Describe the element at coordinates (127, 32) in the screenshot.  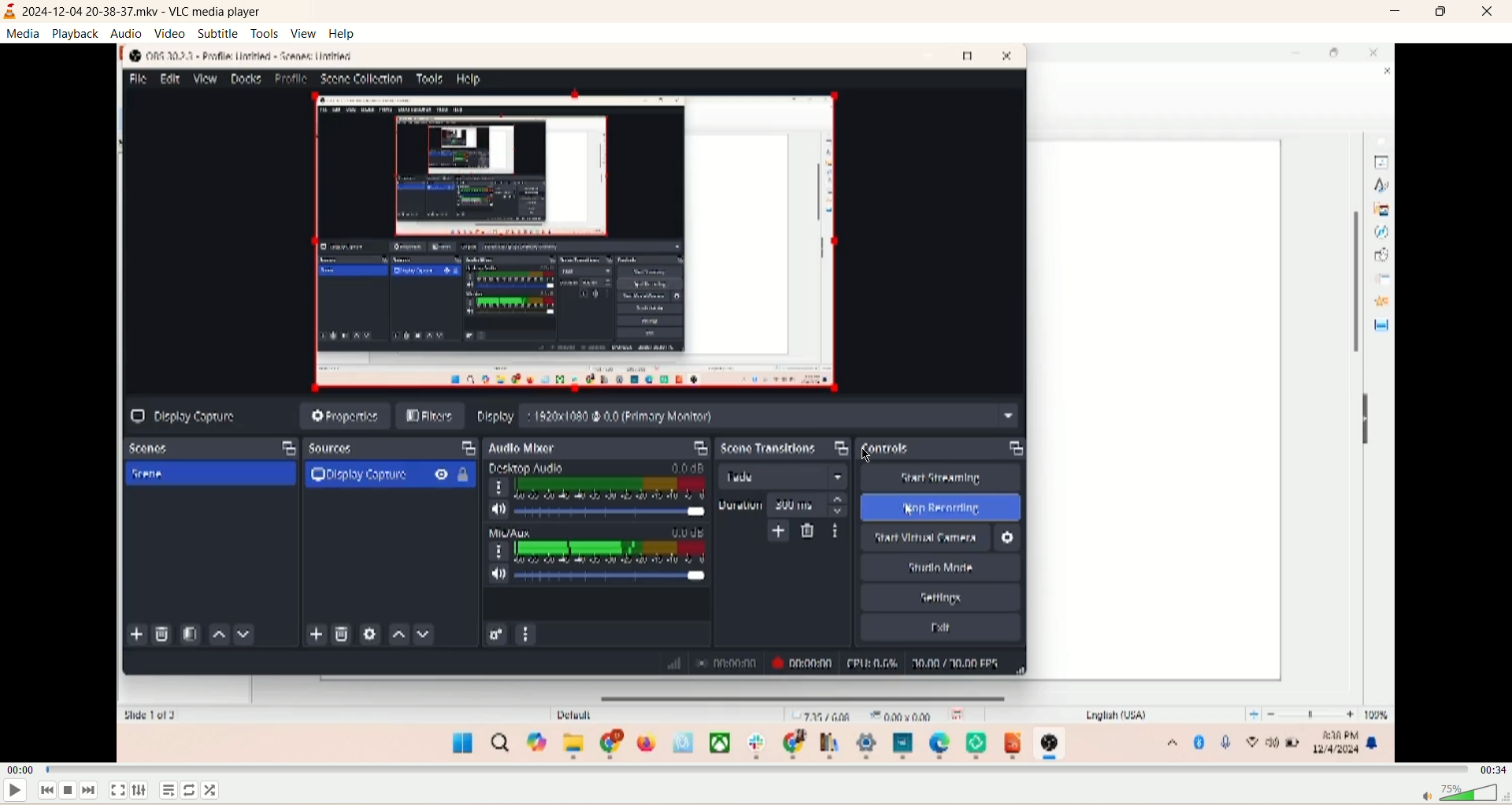
I see `audio` at that location.